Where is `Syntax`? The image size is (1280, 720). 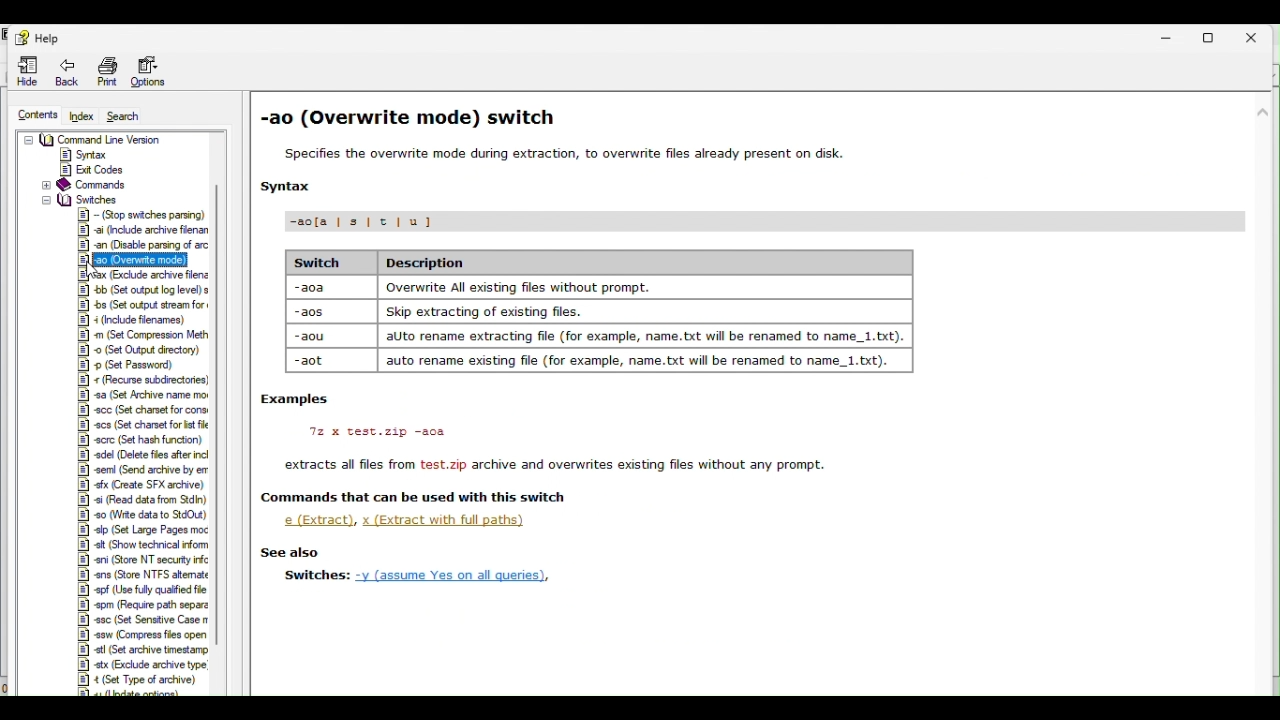 Syntax is located at coordinates (87, 155).